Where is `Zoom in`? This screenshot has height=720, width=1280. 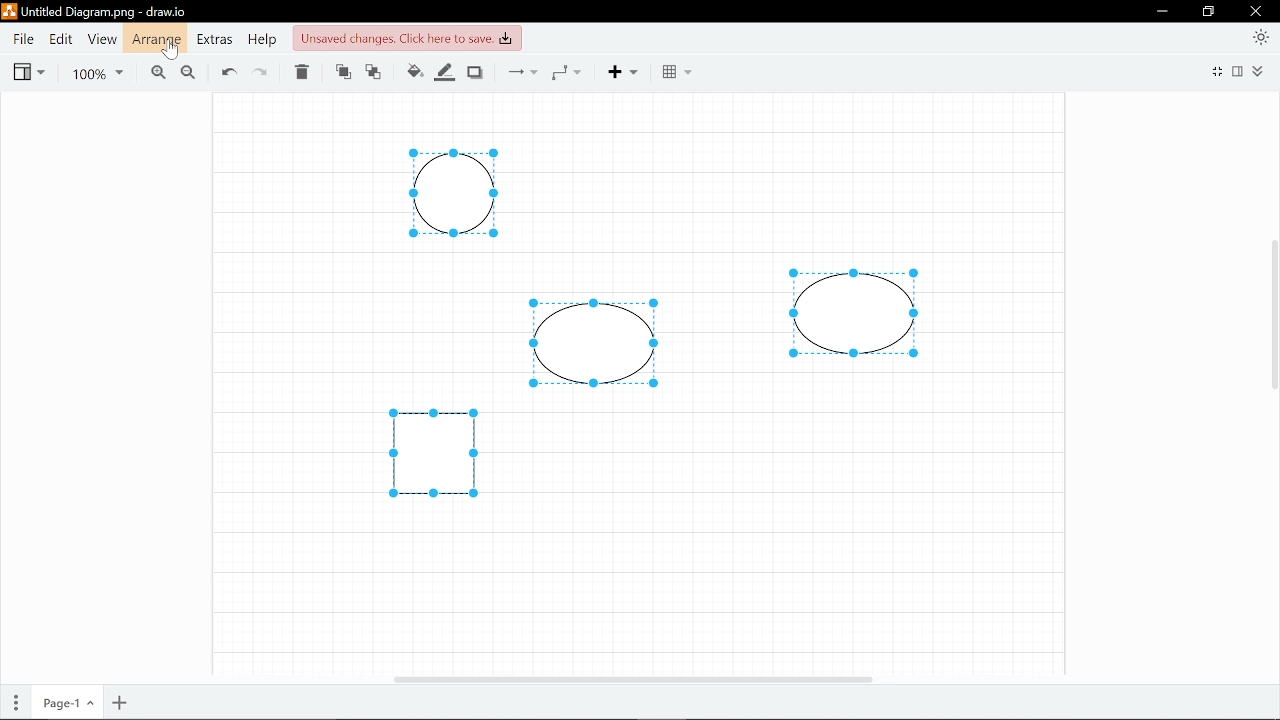
Zoom in is located at coordinates (154, 71).